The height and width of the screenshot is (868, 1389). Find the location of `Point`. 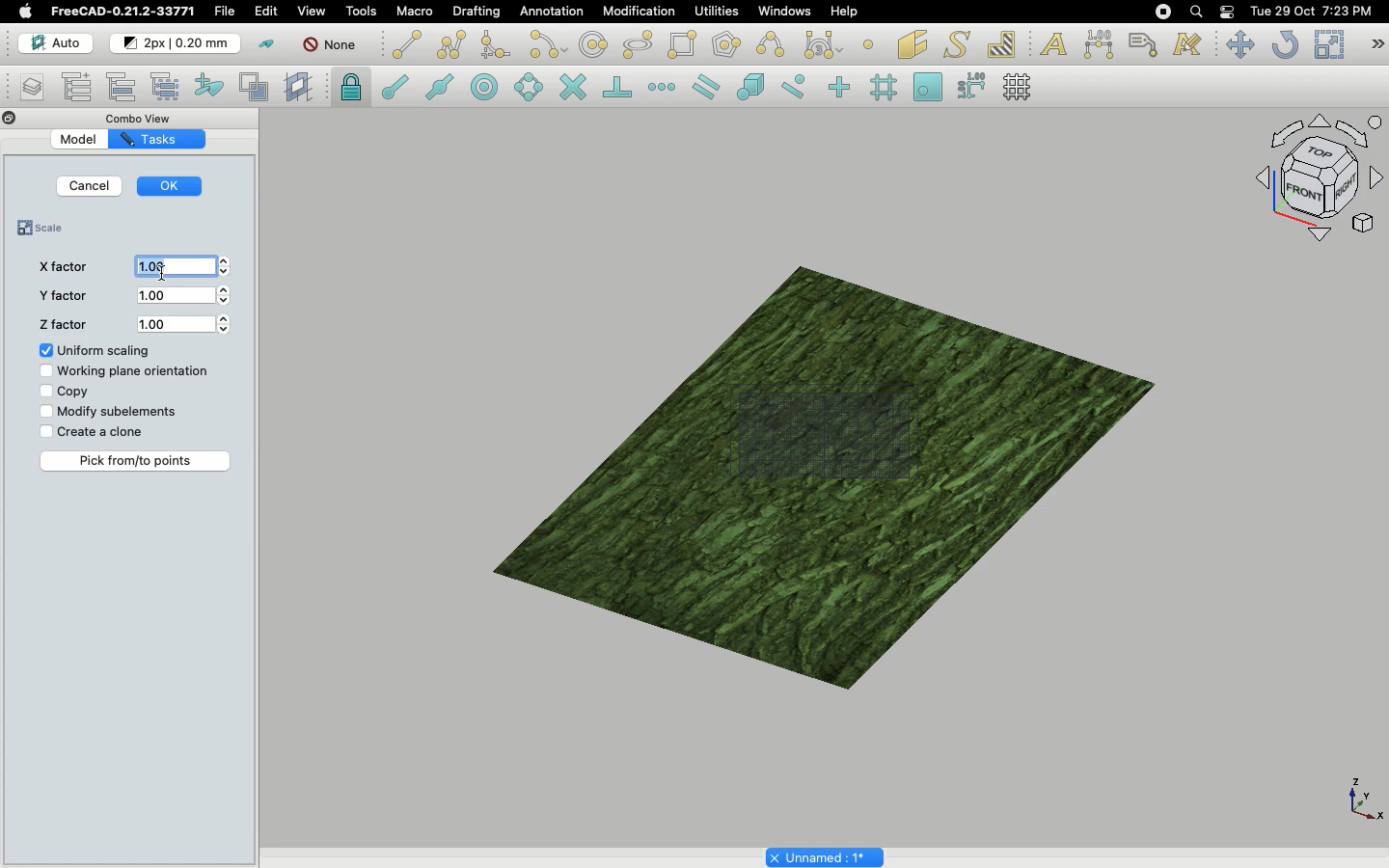

Point is located at coordinates (872, 43).